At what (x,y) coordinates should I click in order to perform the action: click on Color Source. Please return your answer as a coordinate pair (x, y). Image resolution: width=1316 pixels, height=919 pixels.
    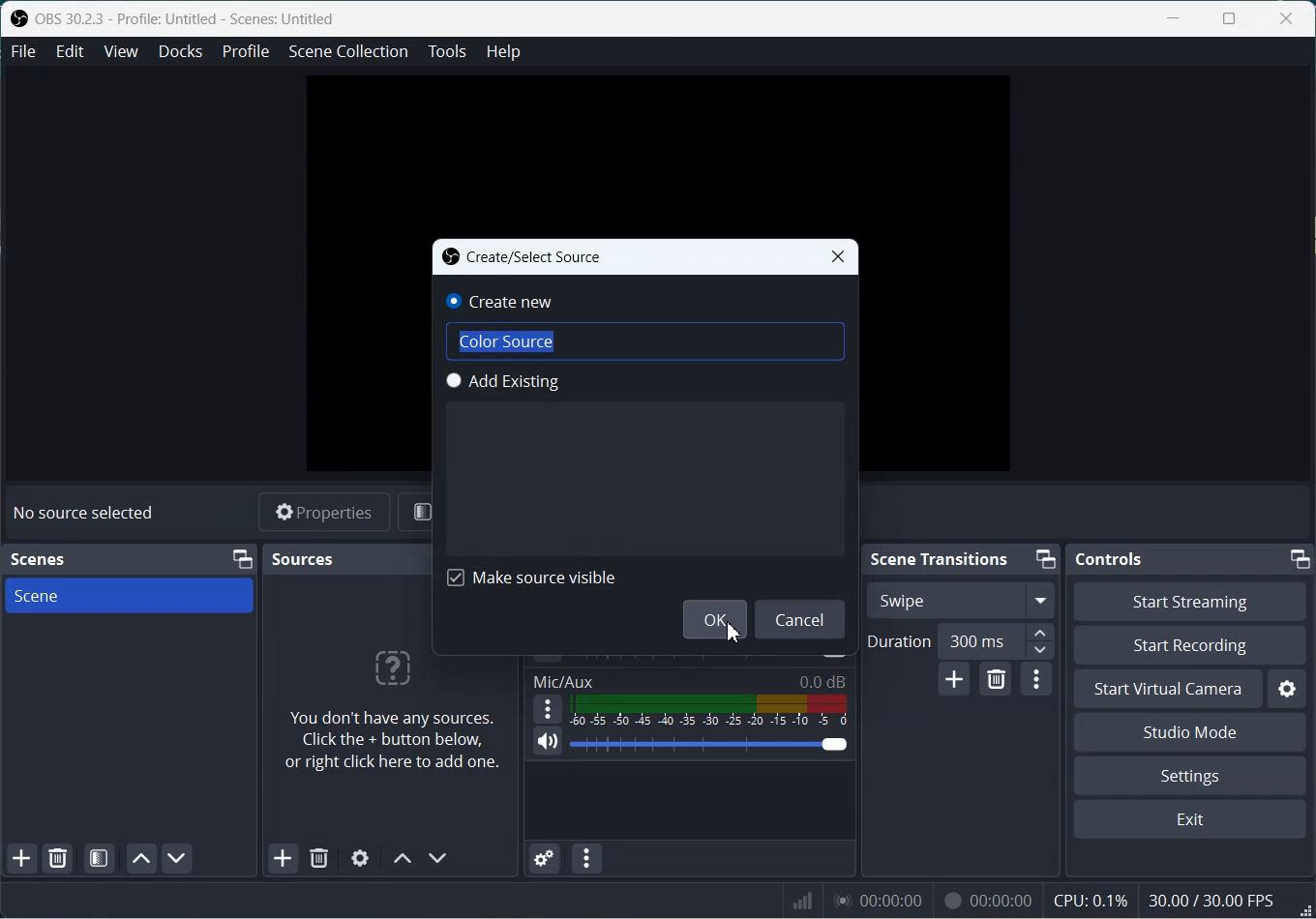
    Looking at the image, I should click on (645, 341).